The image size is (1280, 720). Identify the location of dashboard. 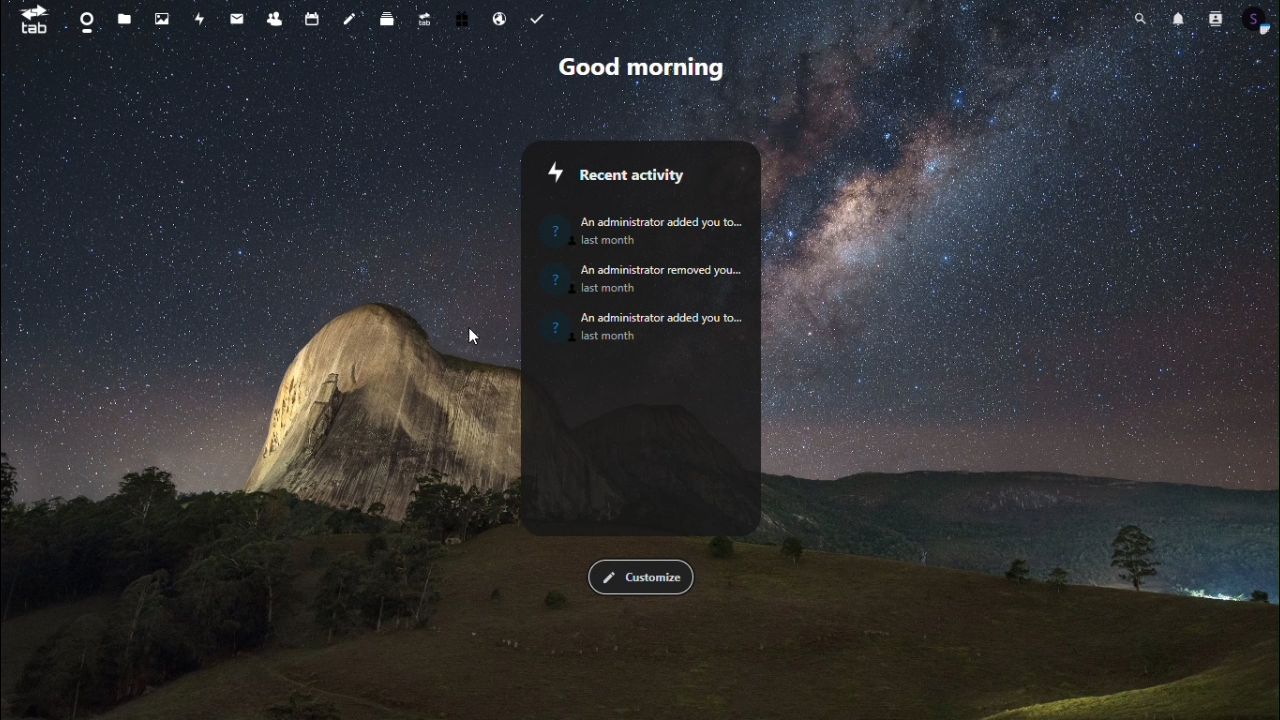
(85, 23).